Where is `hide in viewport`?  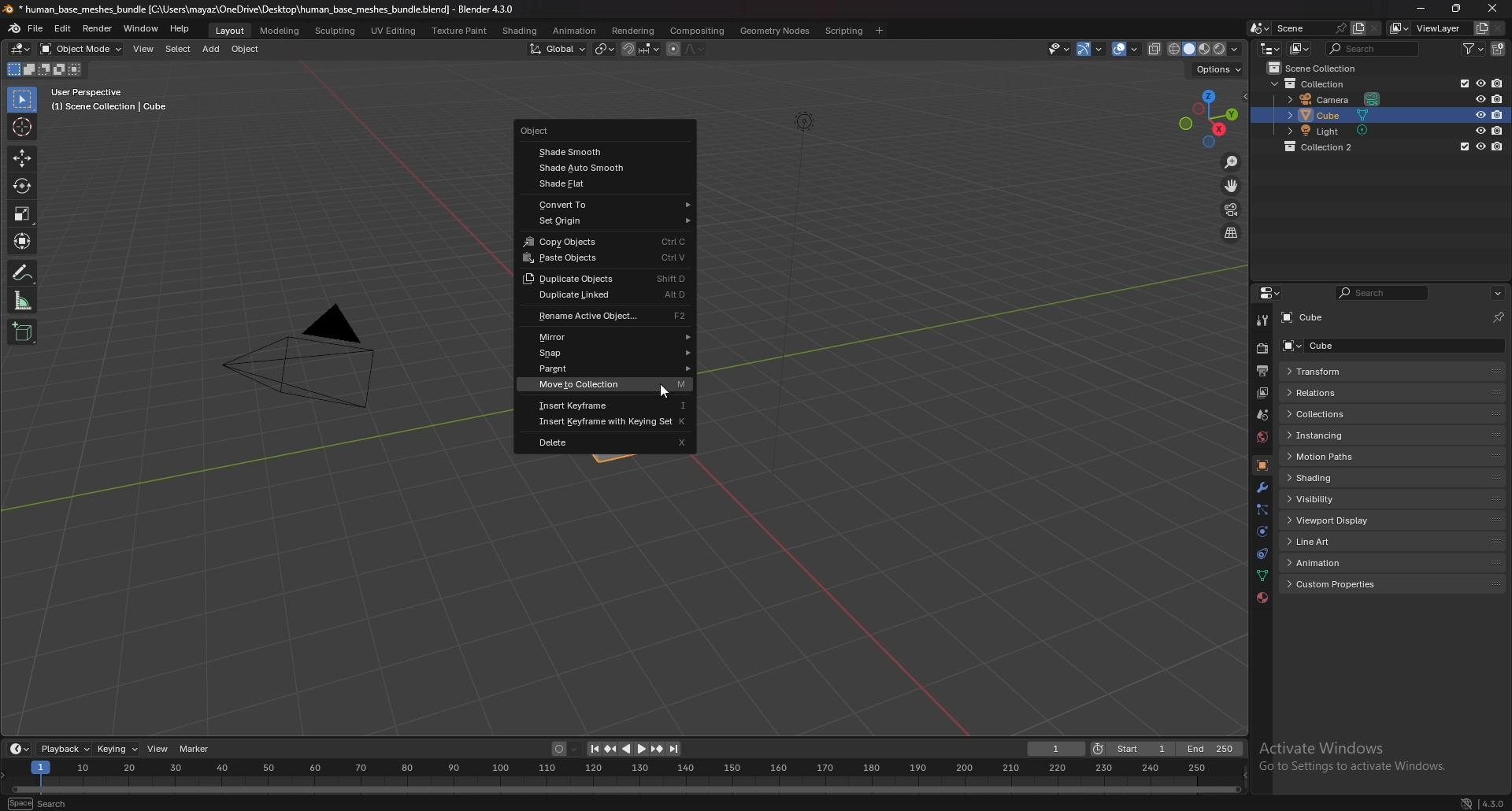
hide in viewport is located at coordinates (1480, 114).